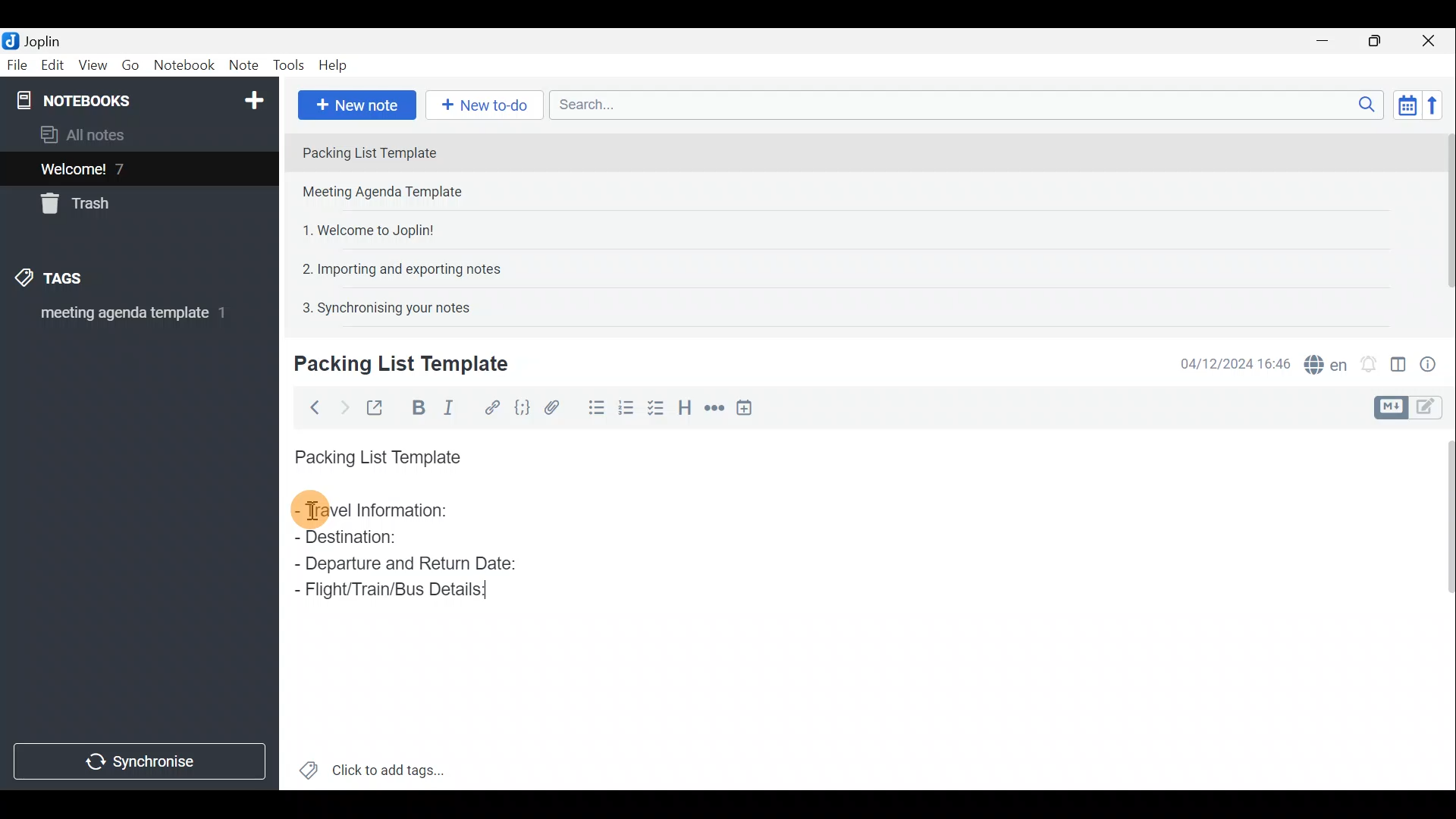 The height and width of the screenshot is (819, 1456). Describe the element at coordinates (661, 412) in the screenshot. I see `Checkbox` at that location.